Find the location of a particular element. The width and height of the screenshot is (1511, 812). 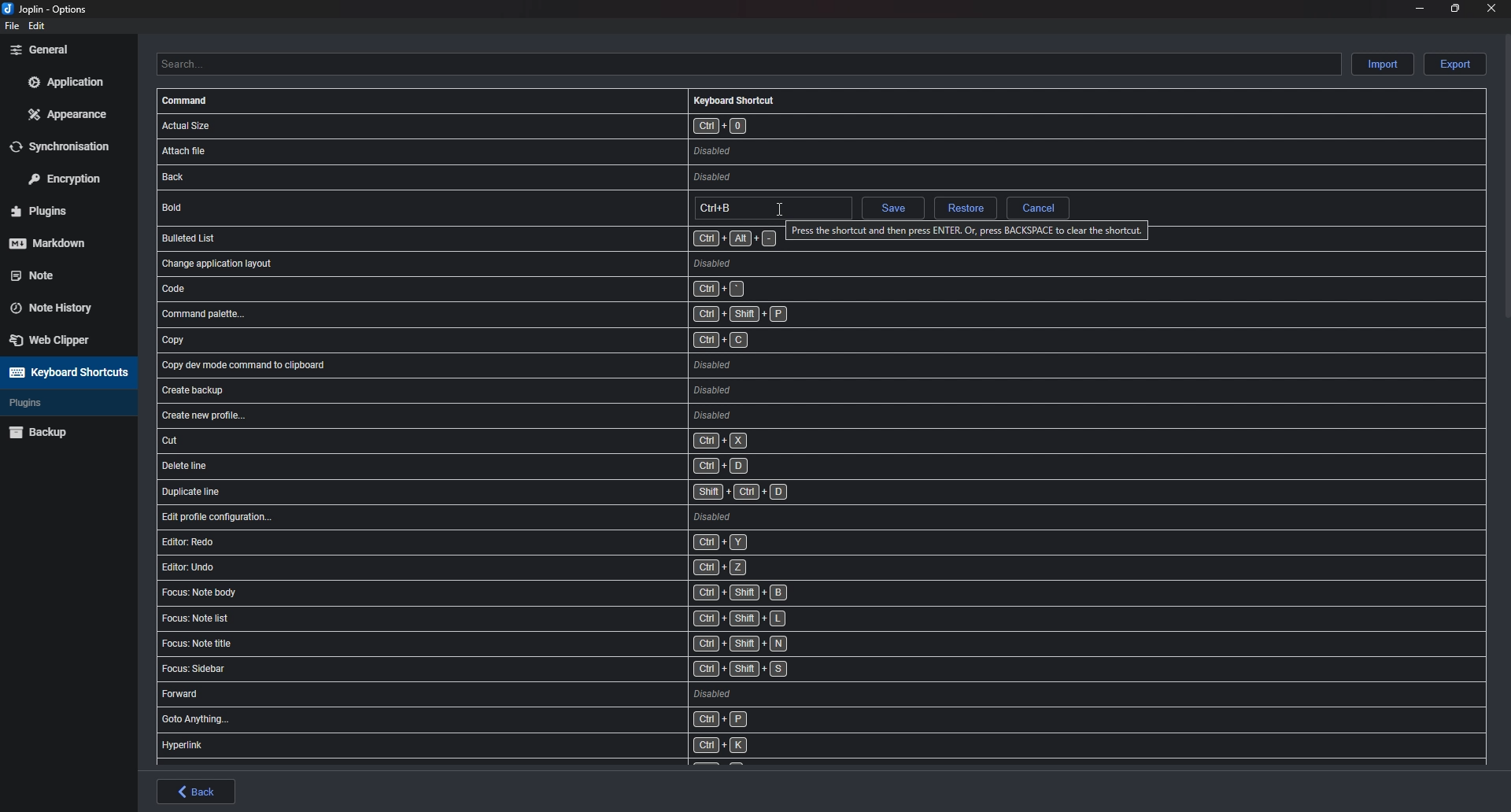

Search shortcuts is located at coordinates (748, 64).